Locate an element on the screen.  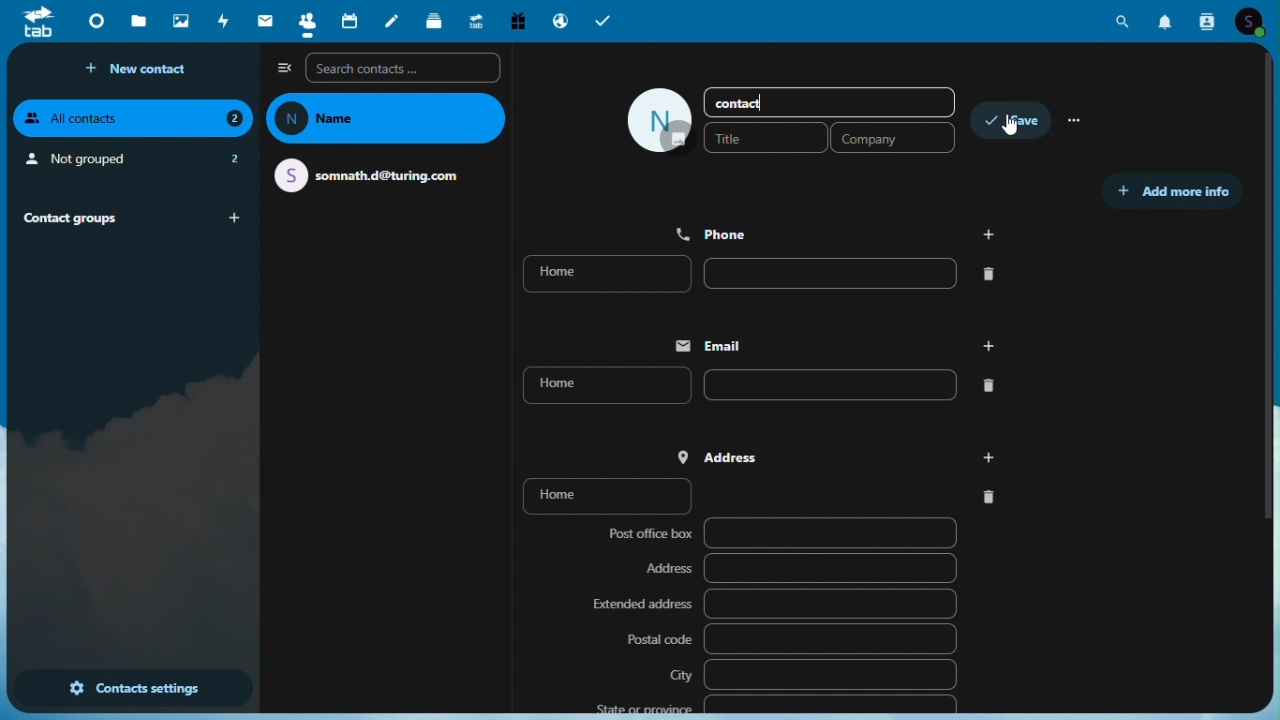
State or province is located at coordinates (773, 704).